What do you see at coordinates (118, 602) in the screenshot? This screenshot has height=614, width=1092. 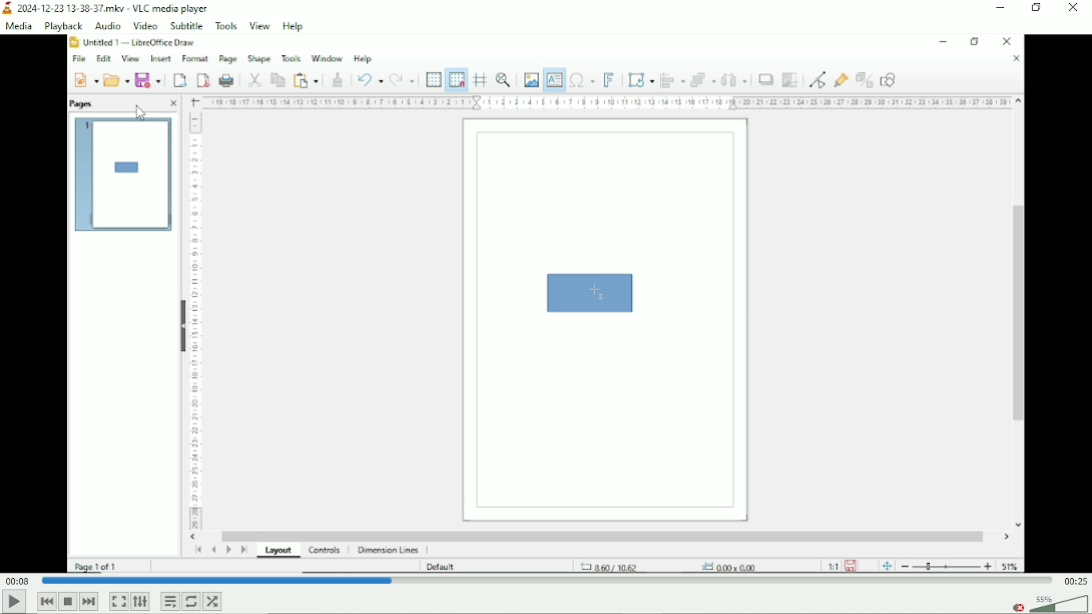 I see `Toggle video in fullscreen` at bounding box center [118, 602].